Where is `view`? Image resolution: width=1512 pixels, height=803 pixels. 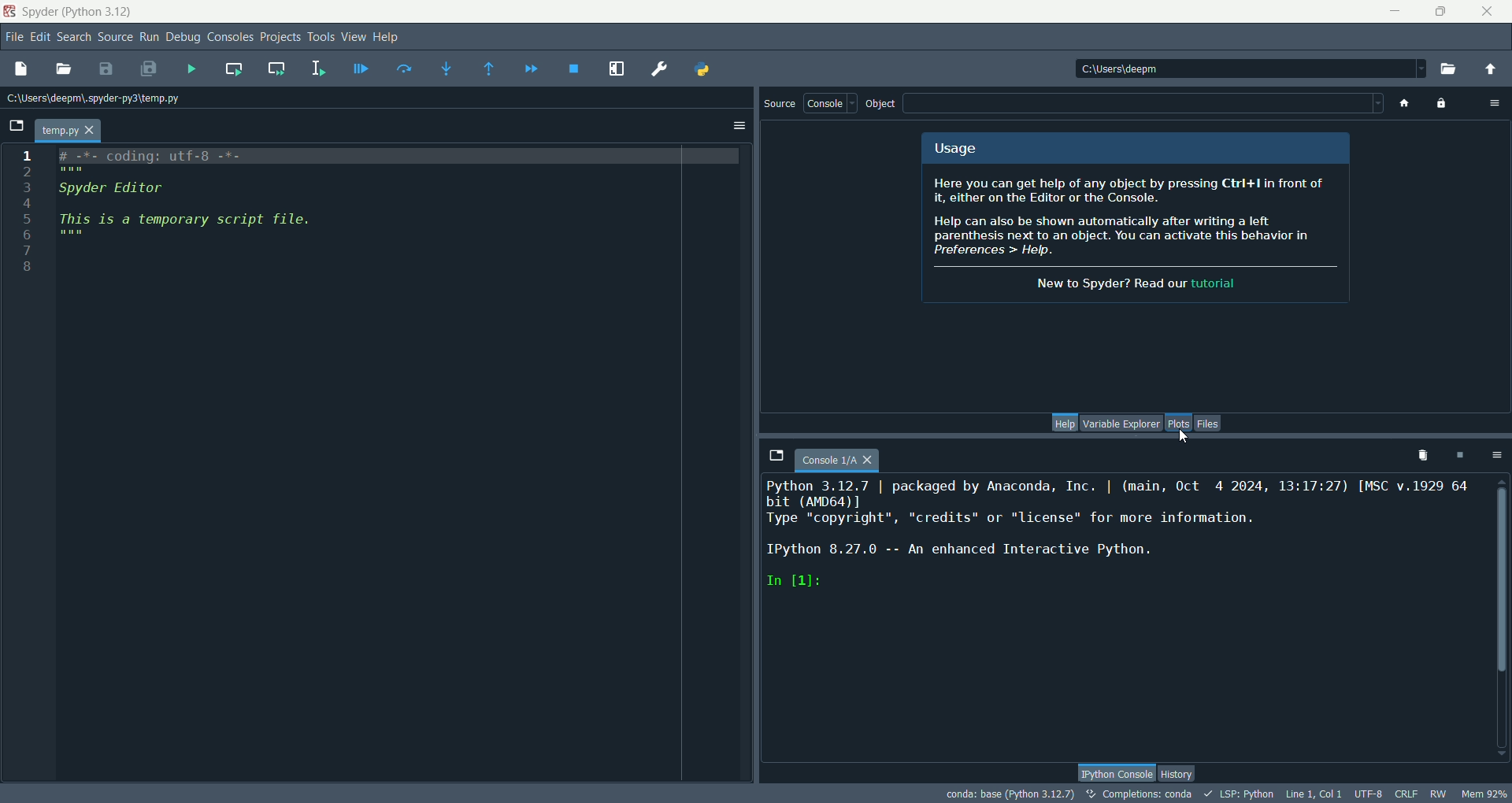
view is located at coordinates (354, 37).